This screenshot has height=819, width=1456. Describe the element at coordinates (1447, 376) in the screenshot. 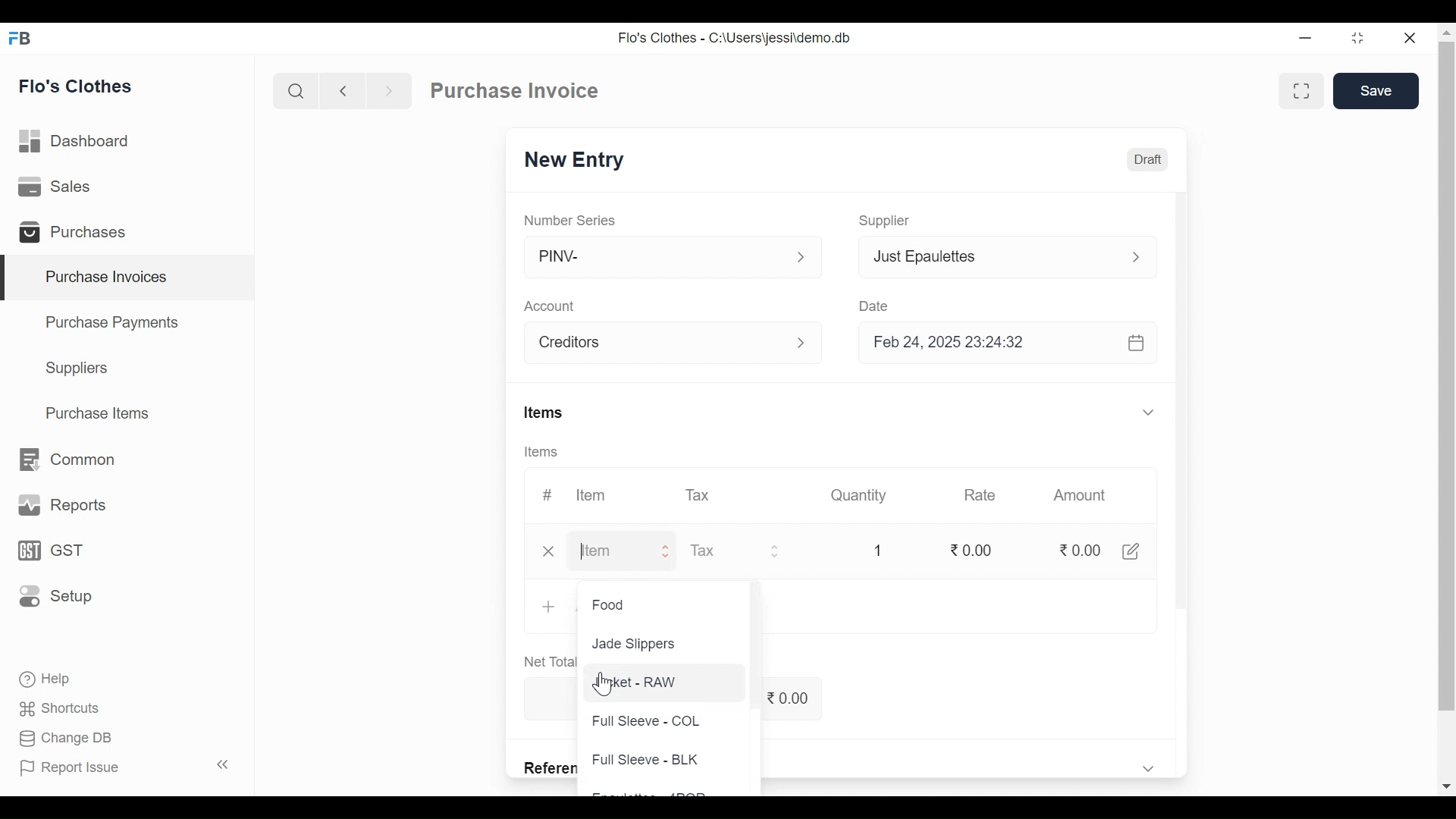

I see `Vertical Scroll bar` at that location.